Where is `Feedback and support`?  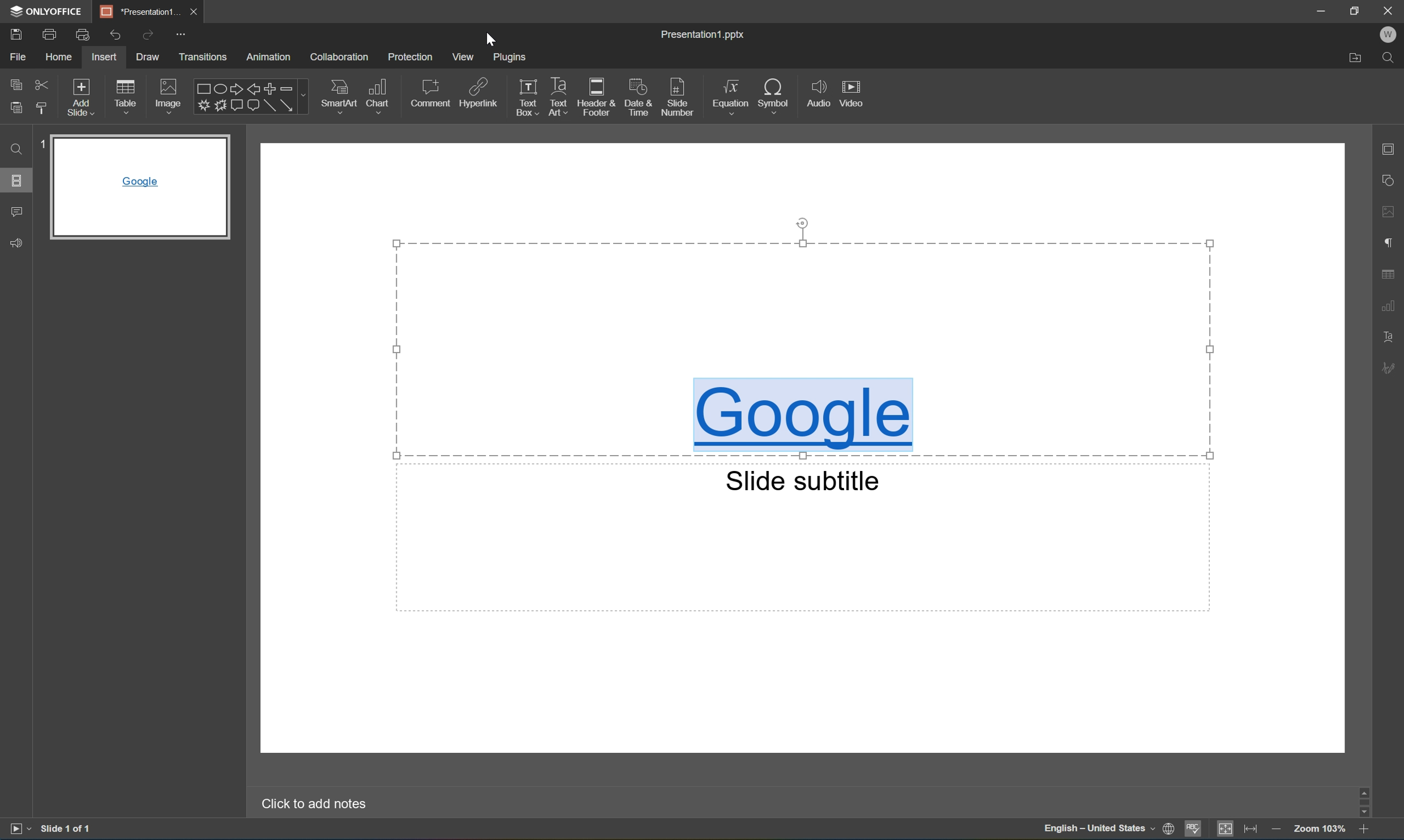 Feedback and support is located at coordinates (16, 242).